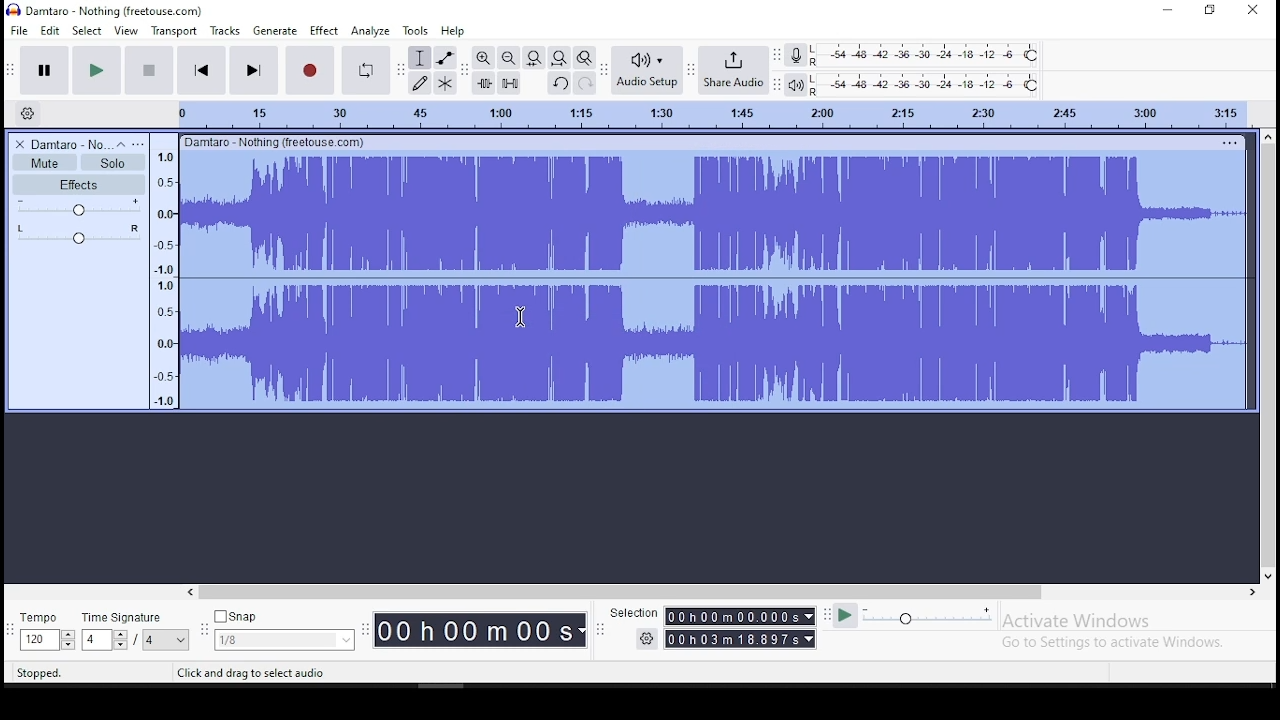 Image resolution: width=1280 pixels, height=720 pixels. I want to click on undo, so click(561, 83).